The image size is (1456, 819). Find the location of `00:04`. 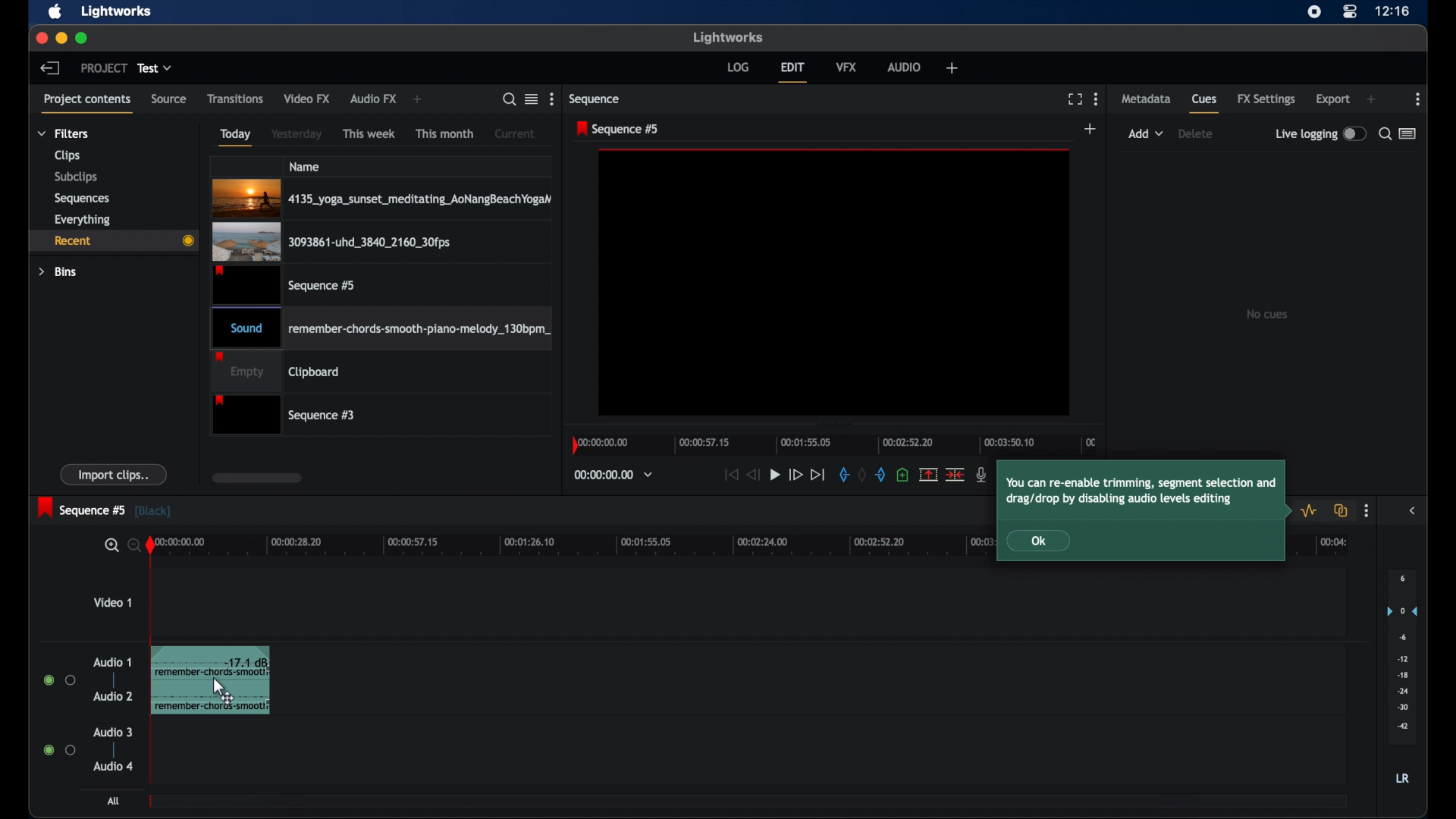

00:04 is located at coordinates (1328, 544).